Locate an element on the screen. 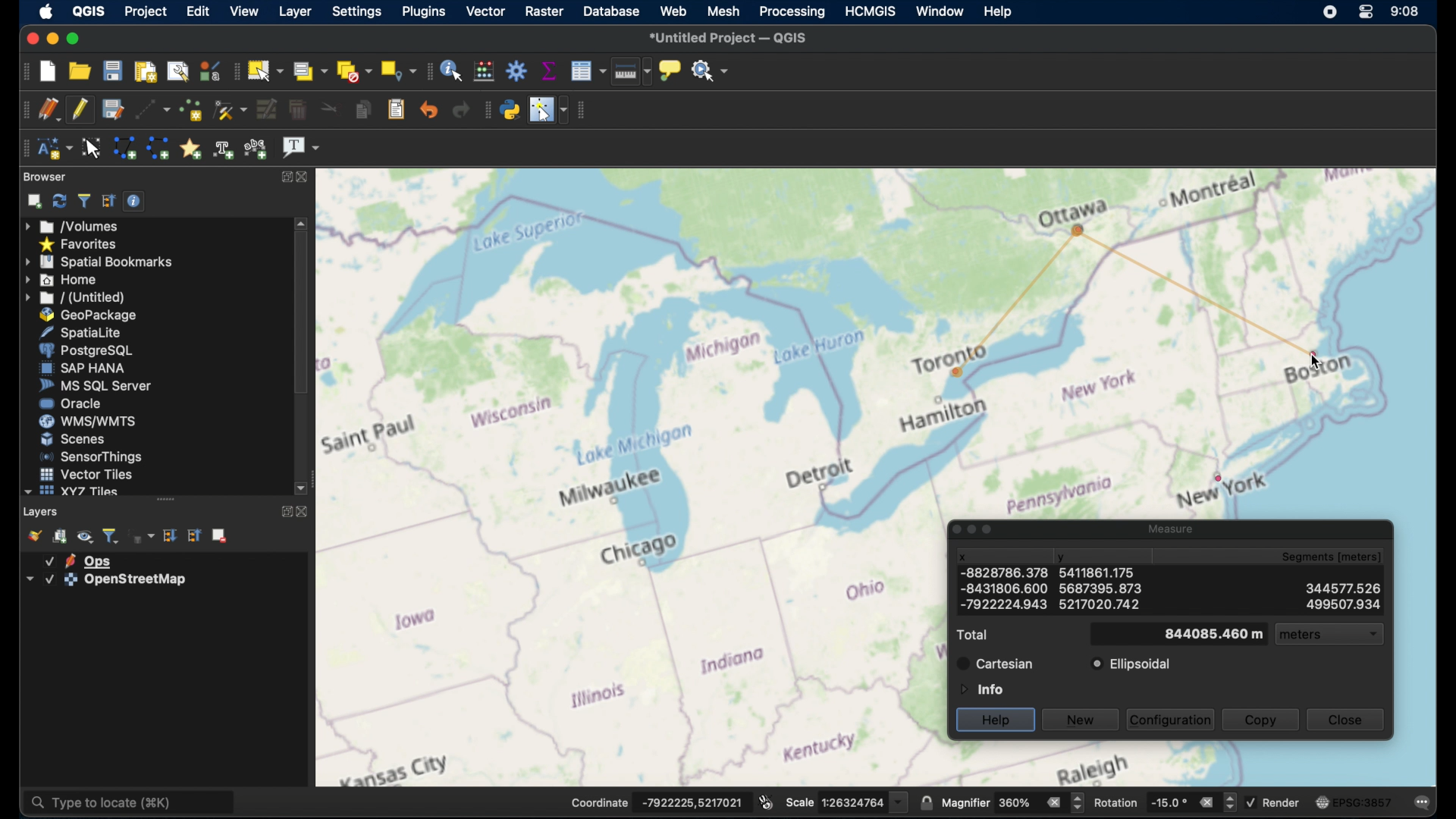 Image resolution: width=1456 pixels, height=819 pixels. help is located at coordinates (995, 720).